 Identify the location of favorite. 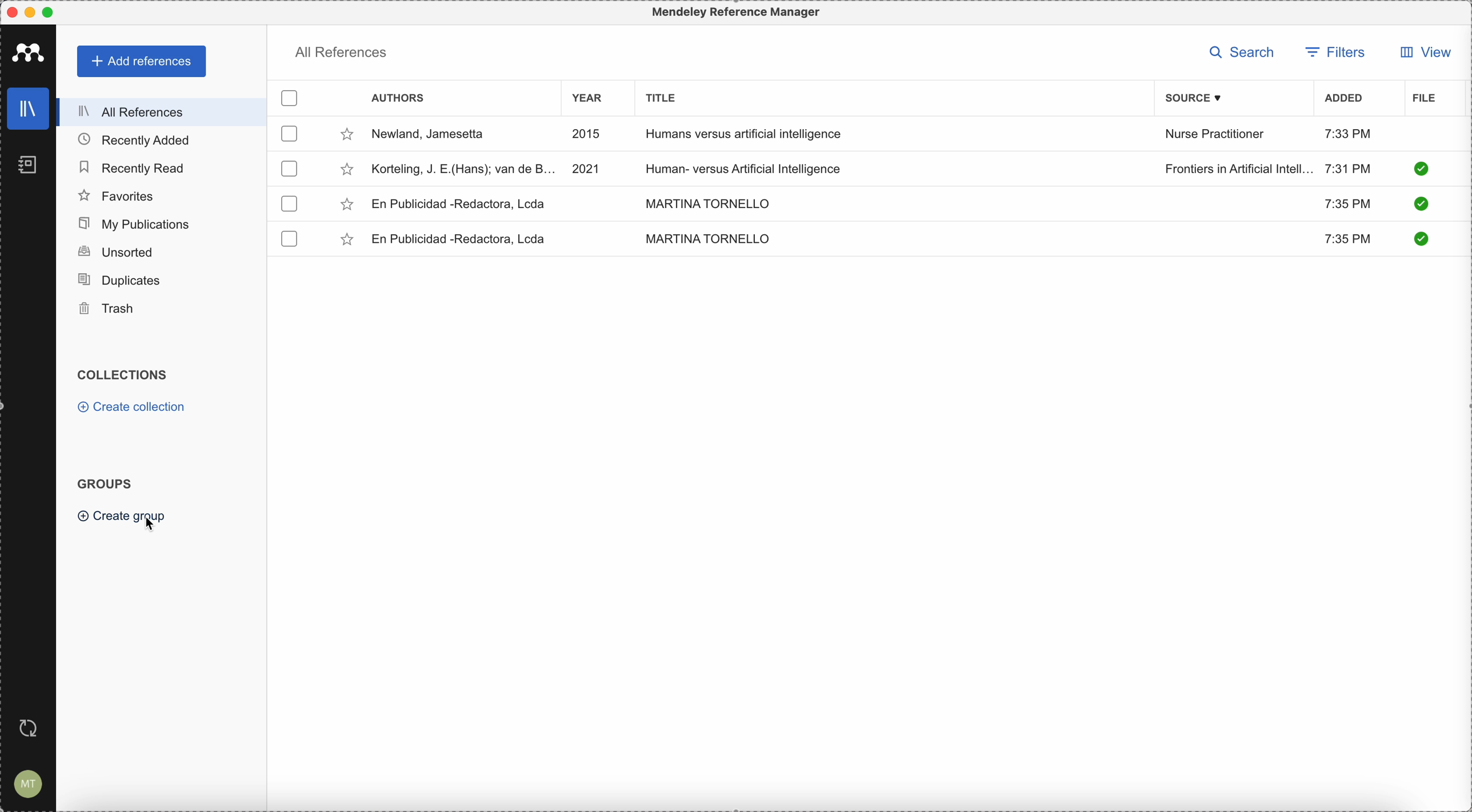
(347, 171).